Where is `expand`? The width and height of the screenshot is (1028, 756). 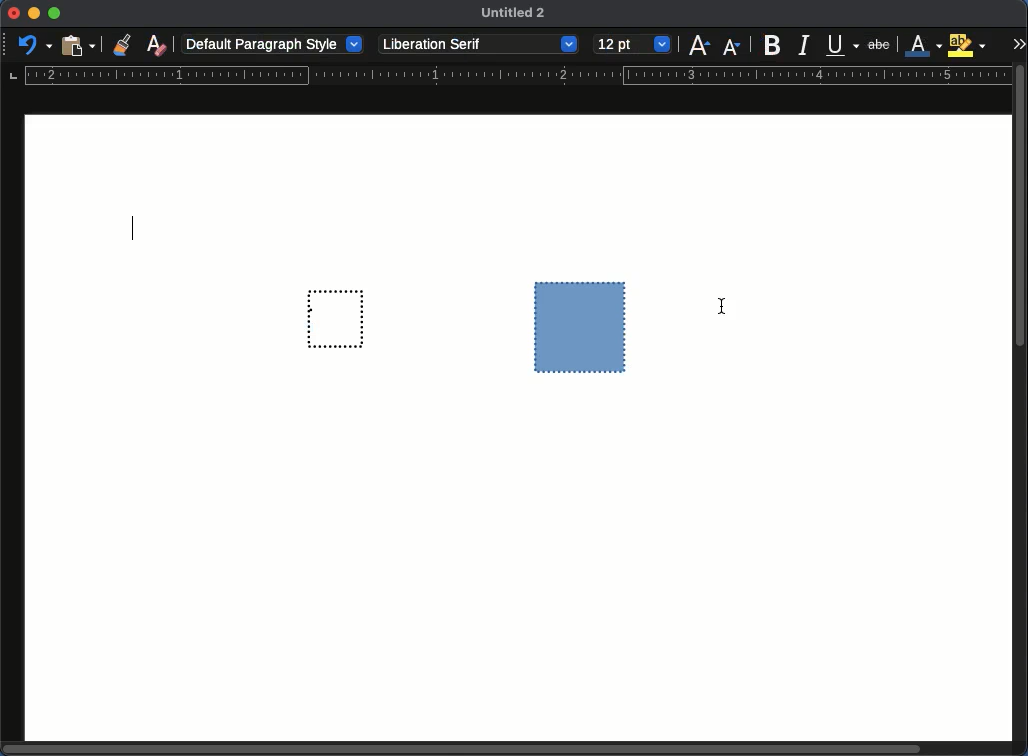 expand is located at coordinates (1018, 44).